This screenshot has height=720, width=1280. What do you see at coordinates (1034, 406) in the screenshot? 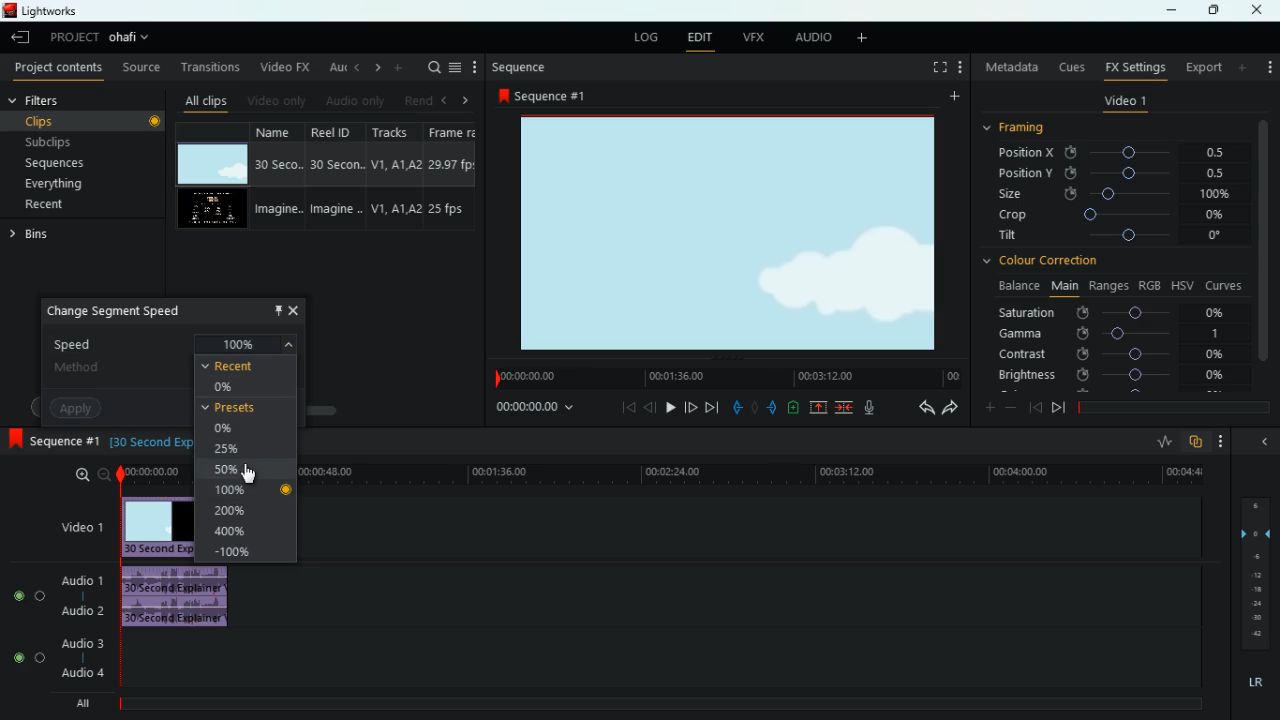
I see `beggining` at bounding box center [1034, 406].